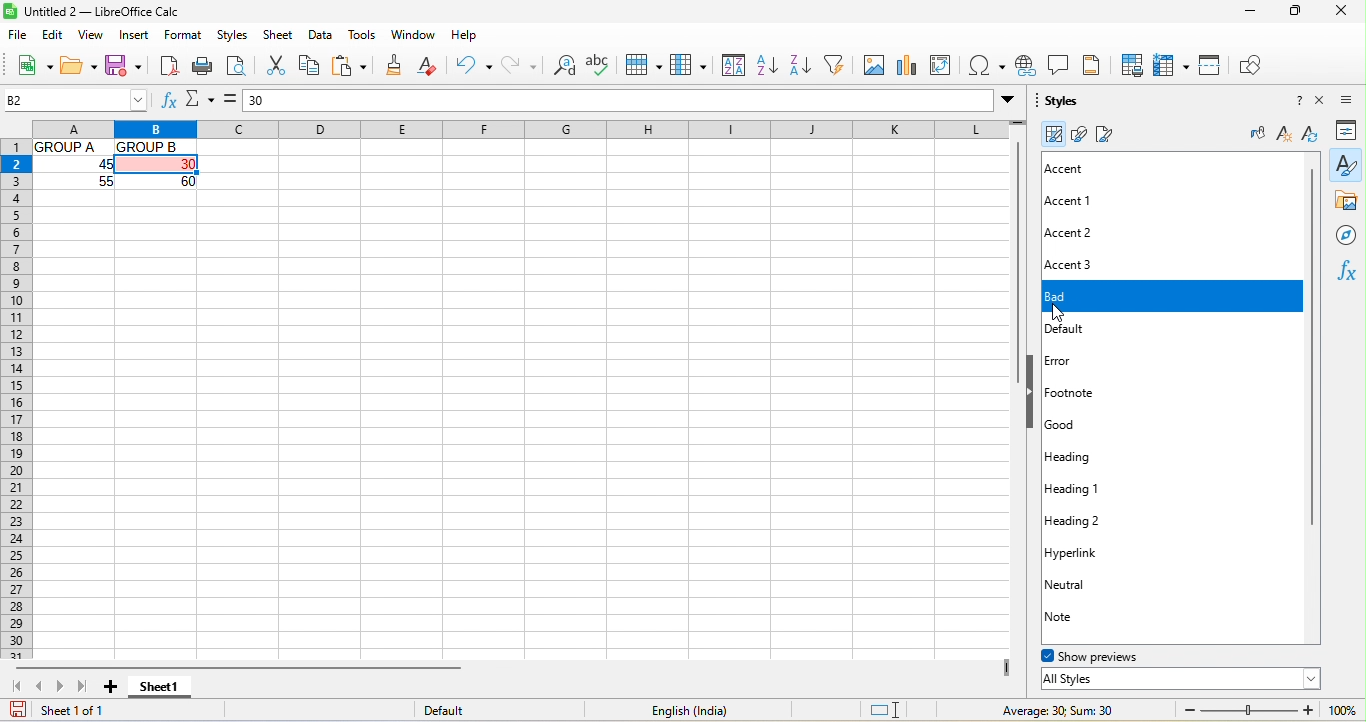 The image size is (1366, 722). What do you see at coordinates (1347, 202) in the screenshot?
I see `gallary` at bounding box center [1347, 202].